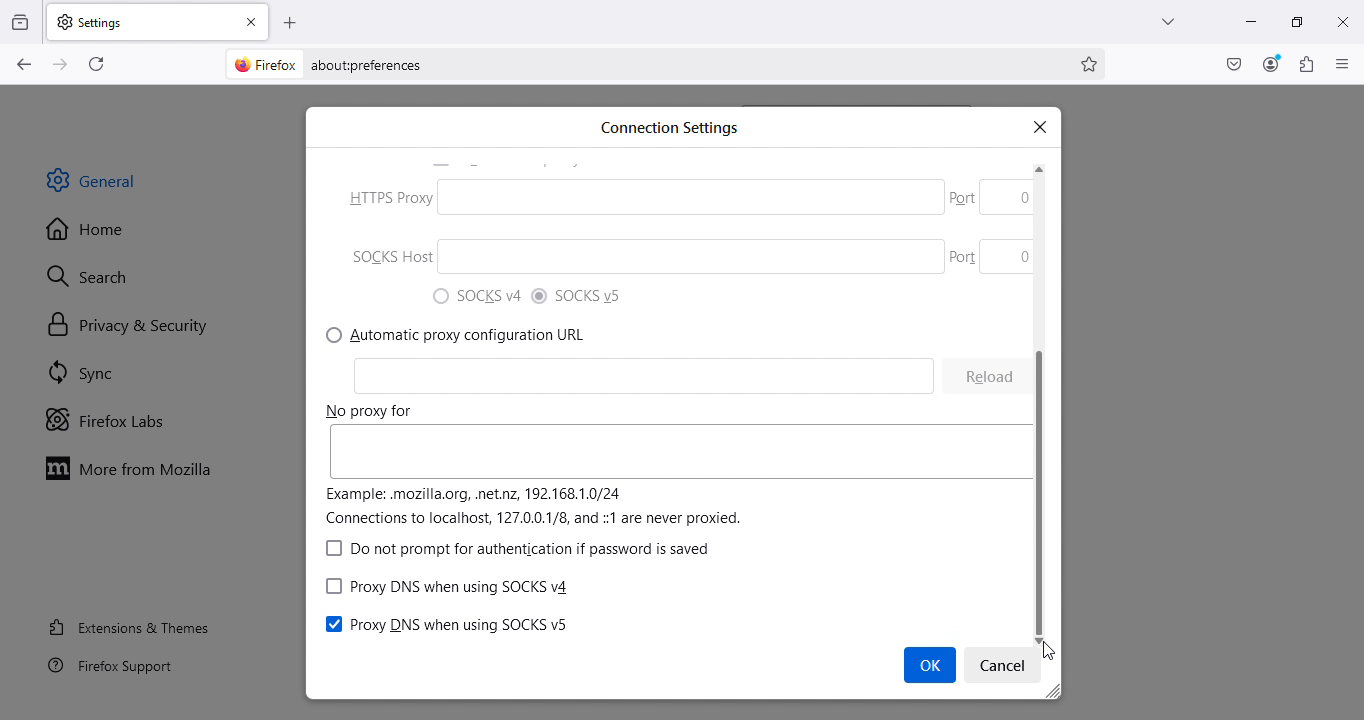 This screenshot has width=1364, height=720. I want to click on List all tabs, so click(1162, 21).